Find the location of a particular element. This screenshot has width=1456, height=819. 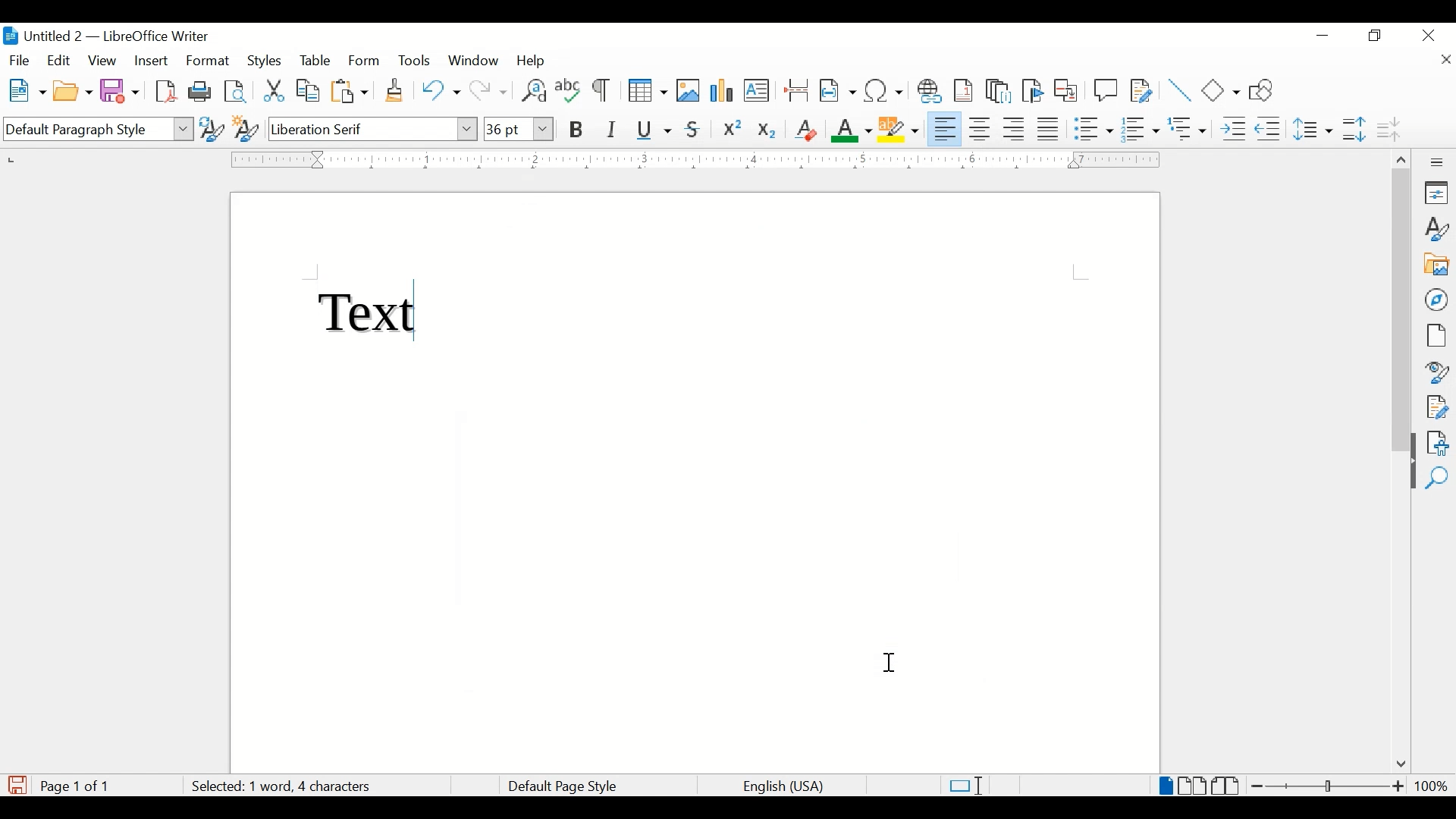

strikethrough is located at coordinates (693, 130).